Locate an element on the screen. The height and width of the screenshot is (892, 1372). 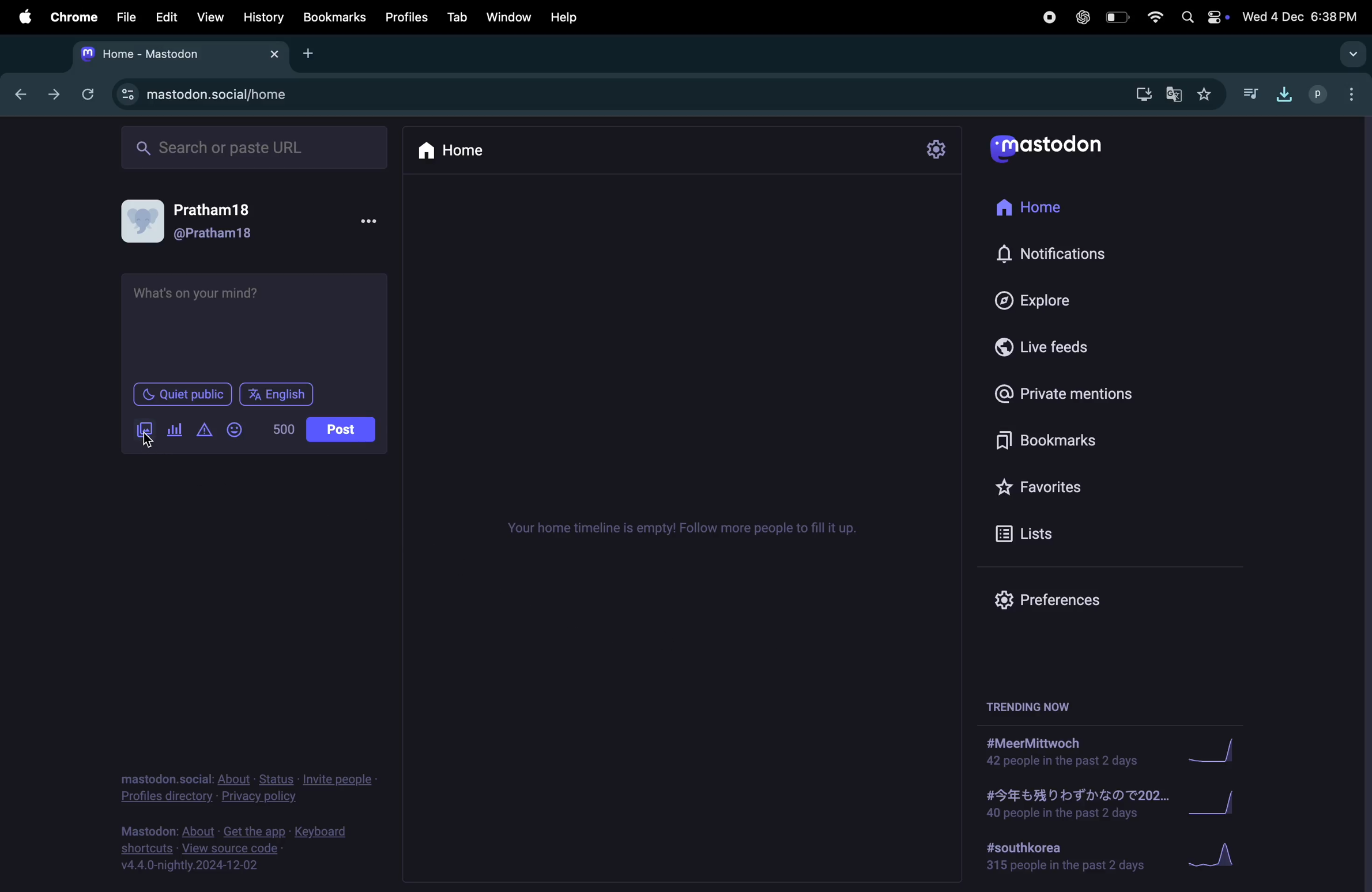
# meermittwoch is located at coordinates (1061, 752).